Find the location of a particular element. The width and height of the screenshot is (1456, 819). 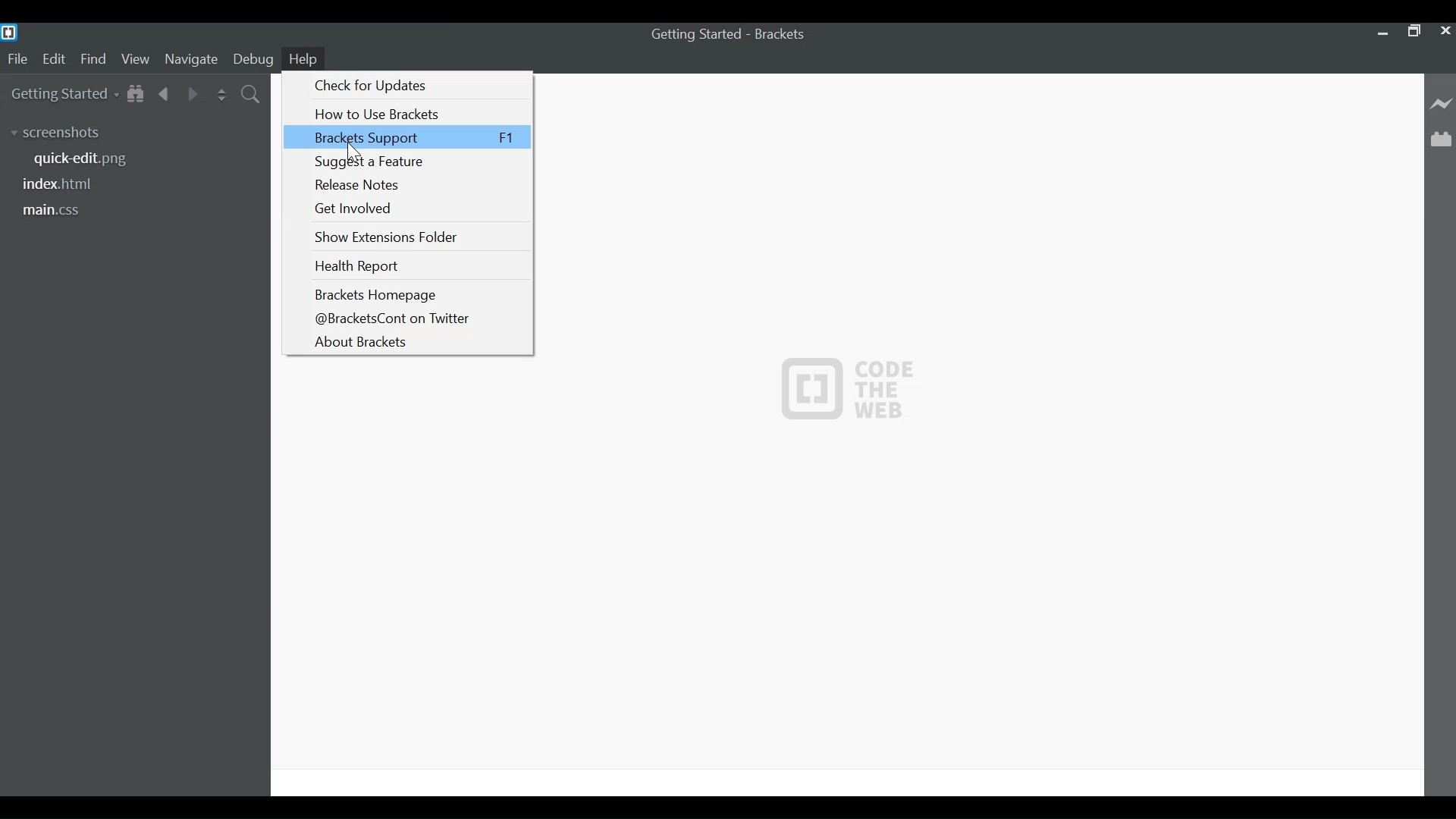

View is located at coordinates (135, 60).